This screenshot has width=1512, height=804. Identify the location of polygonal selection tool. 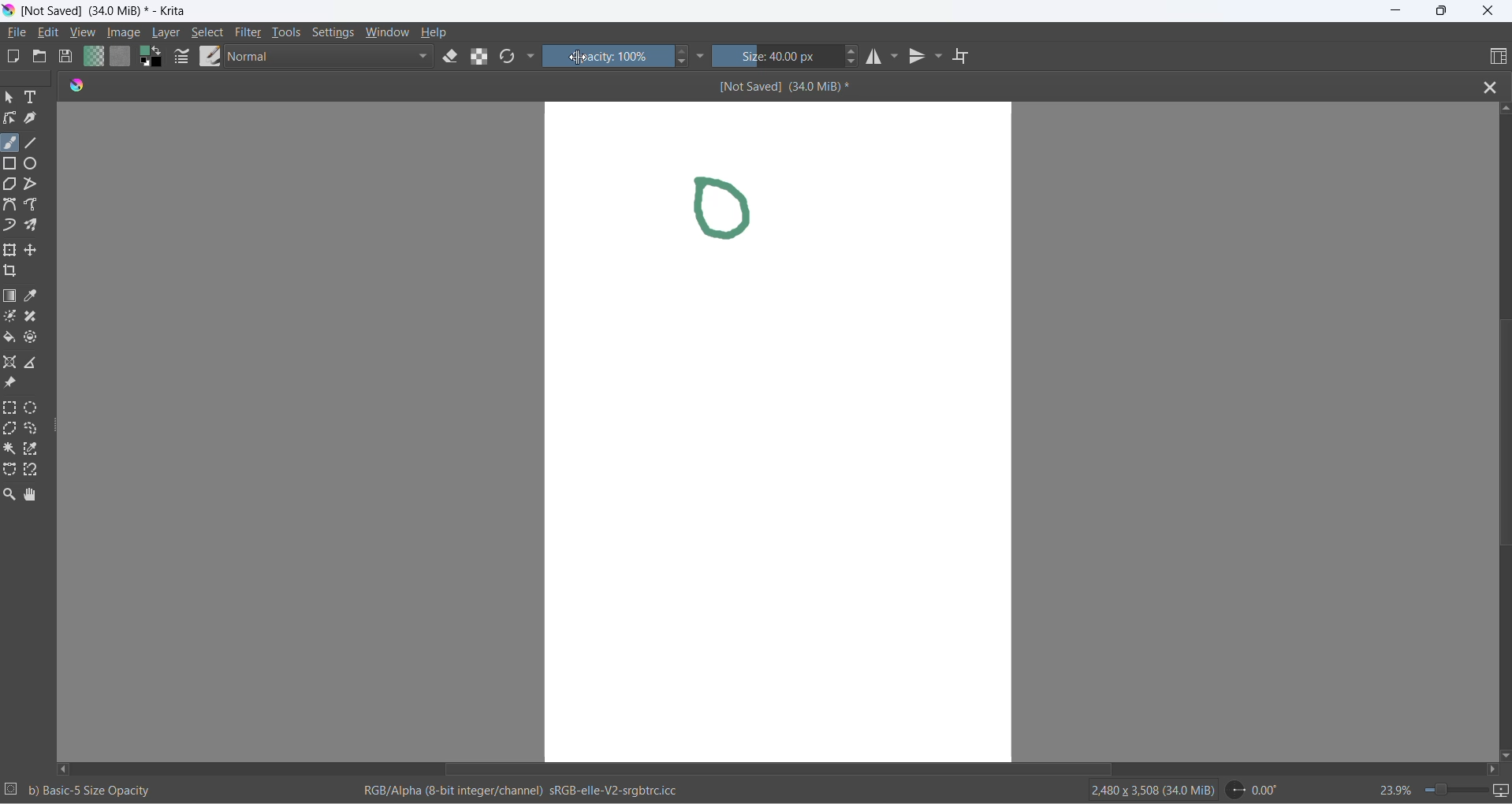
(10, 430).